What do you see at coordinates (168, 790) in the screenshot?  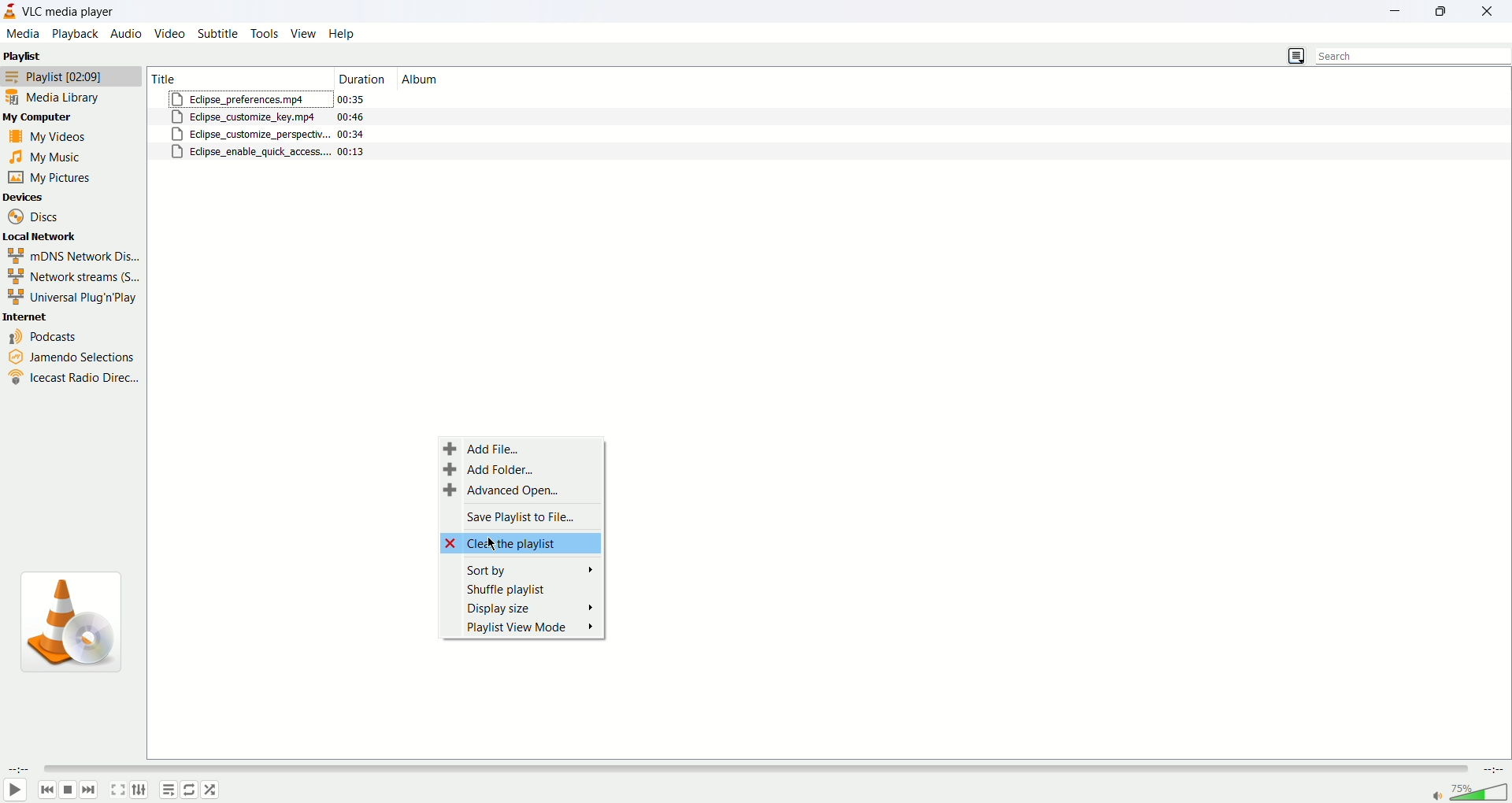 I see `playlist` at bounding box center [168, 790].